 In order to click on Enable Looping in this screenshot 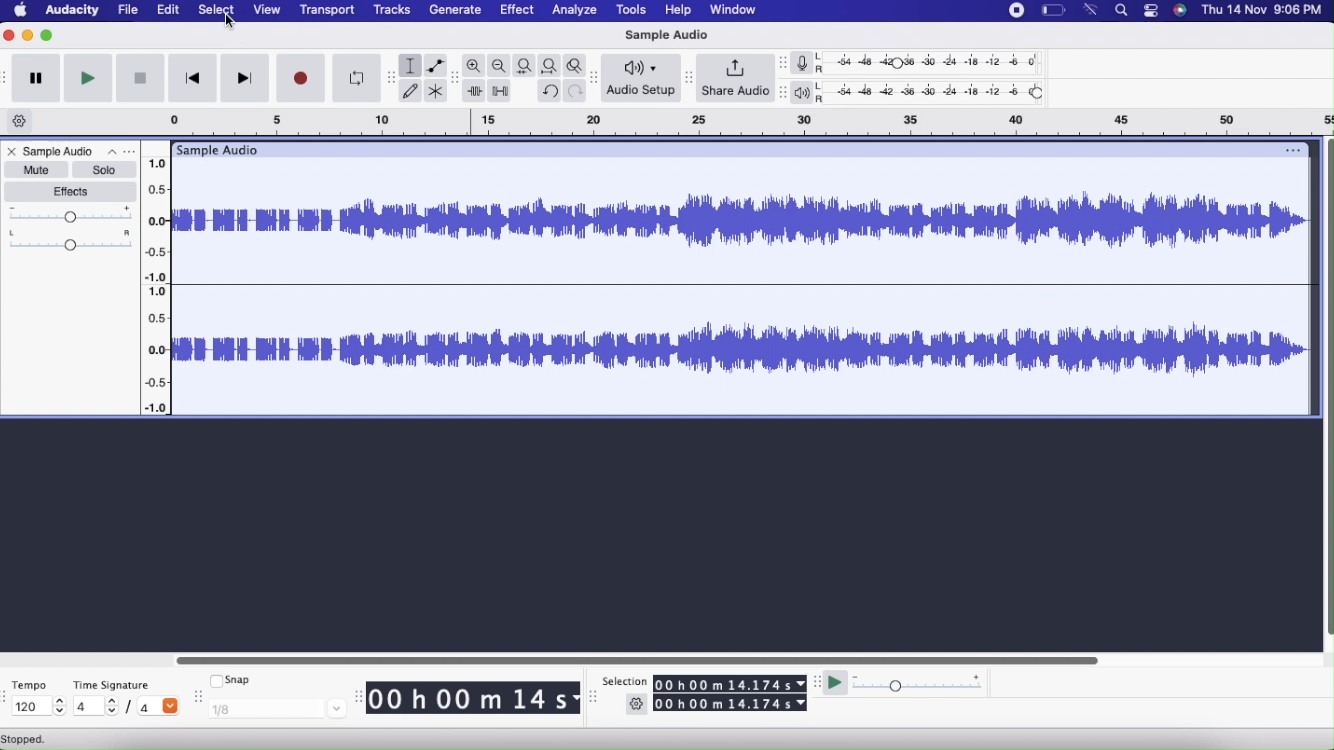, I will do `click(360, 78)`.